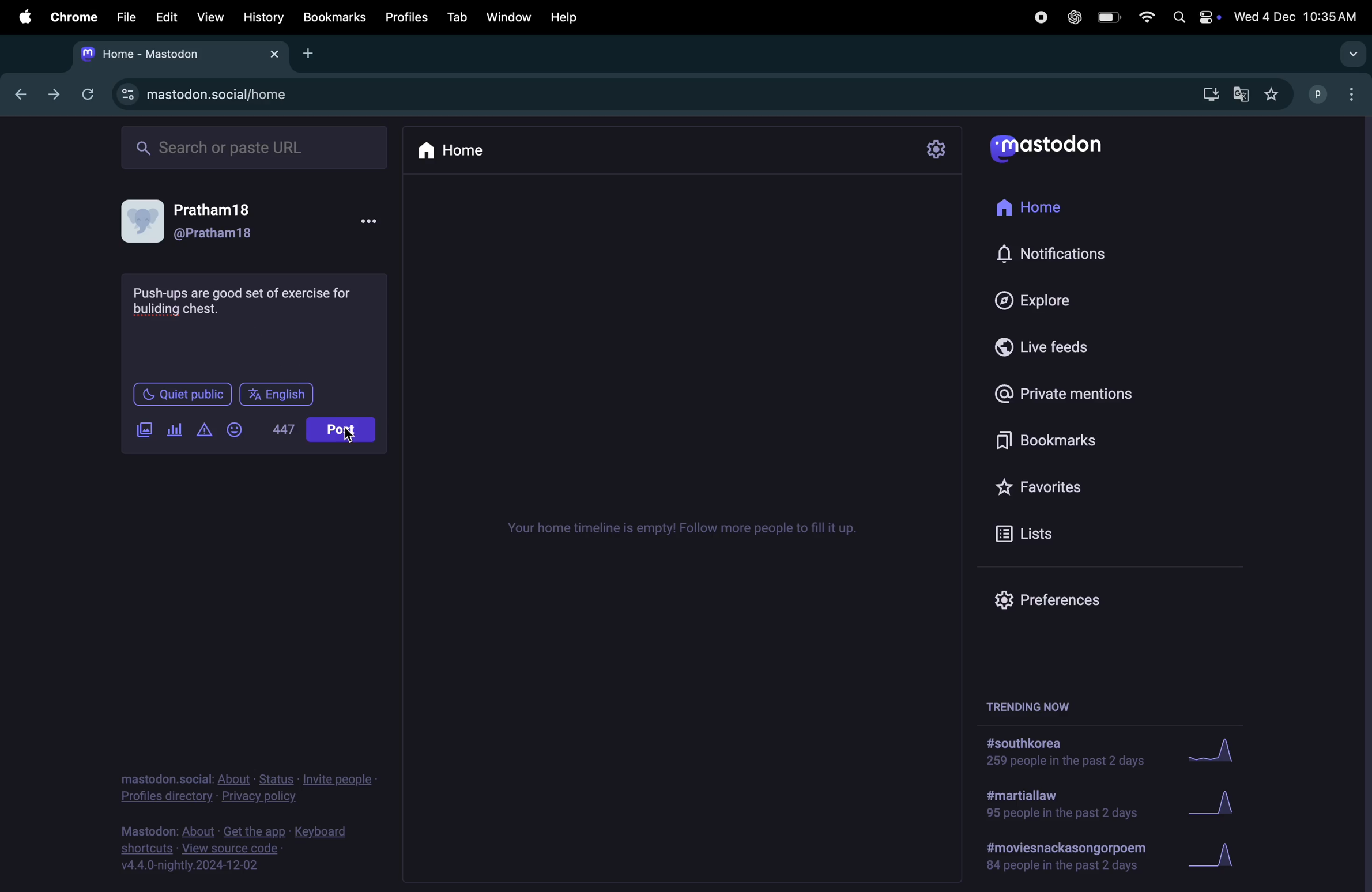 The height and width of the screenshot is (892, 1372). I want to click on chrome profile, so click(1336, 96).